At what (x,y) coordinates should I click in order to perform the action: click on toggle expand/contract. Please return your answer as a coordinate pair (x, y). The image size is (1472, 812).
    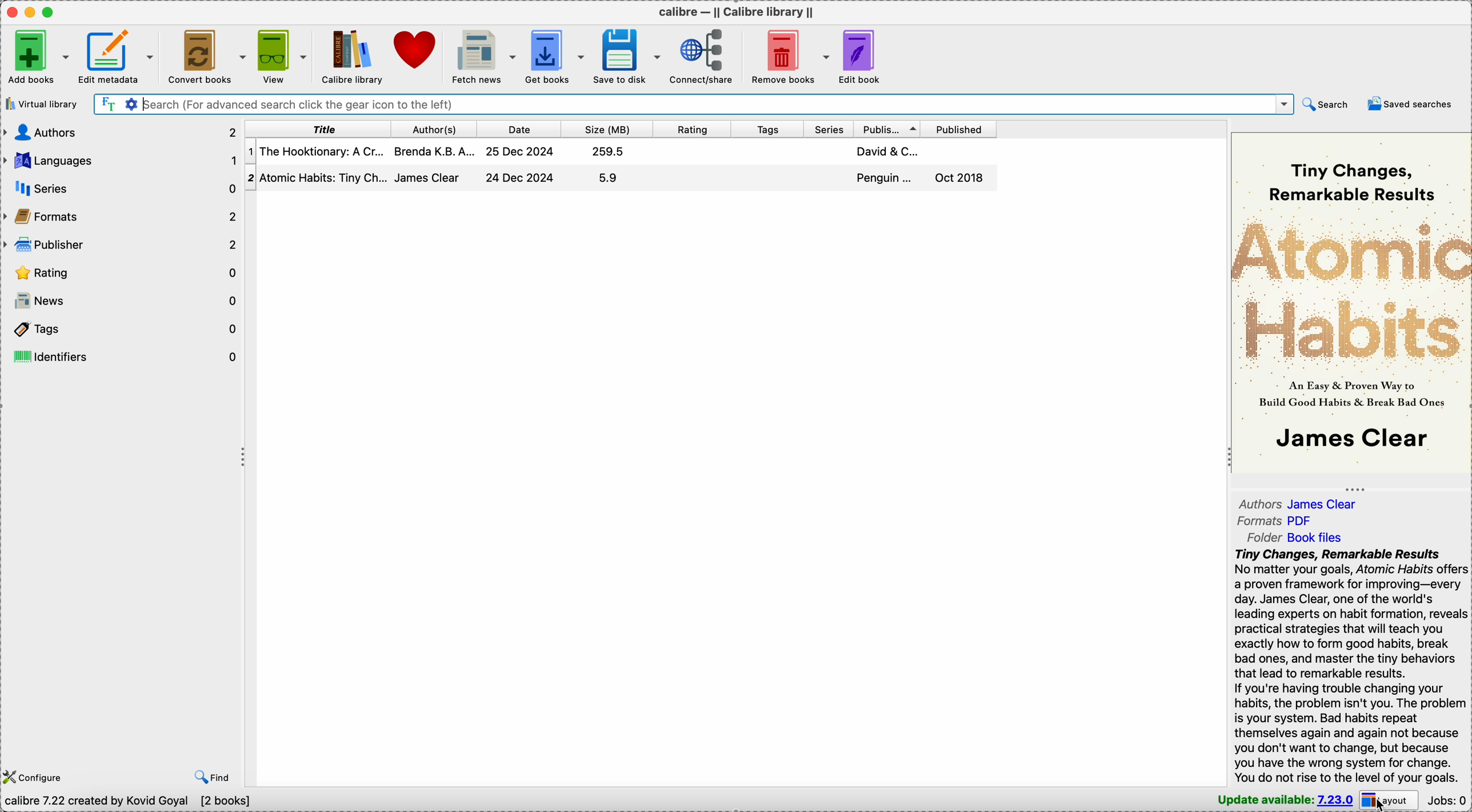
    Looking at the image, I should click on (244, 458).